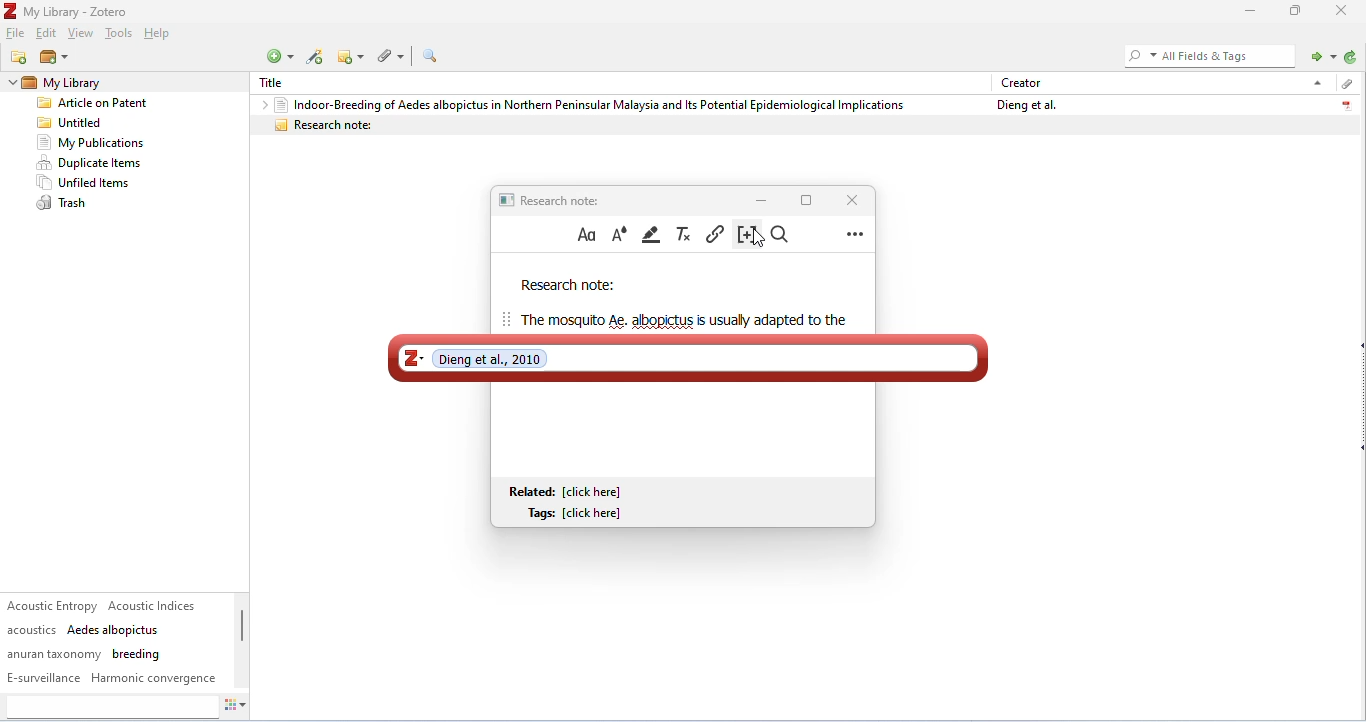  What do you see at coordinates (68, 11) in the screenshot?
I see `title` at bounding box center [68, 11].